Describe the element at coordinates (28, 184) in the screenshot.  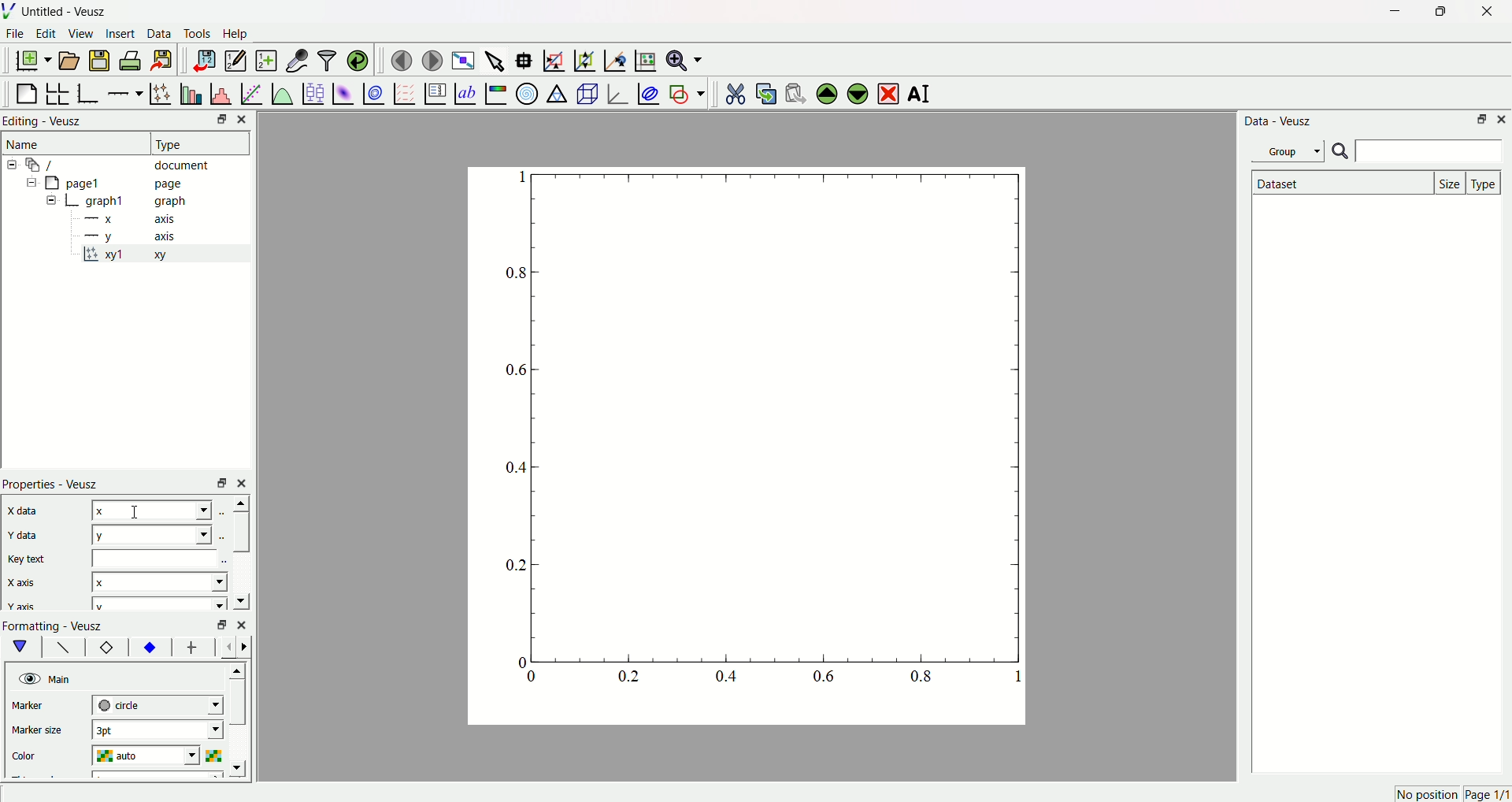
I see `collapse` at that location.